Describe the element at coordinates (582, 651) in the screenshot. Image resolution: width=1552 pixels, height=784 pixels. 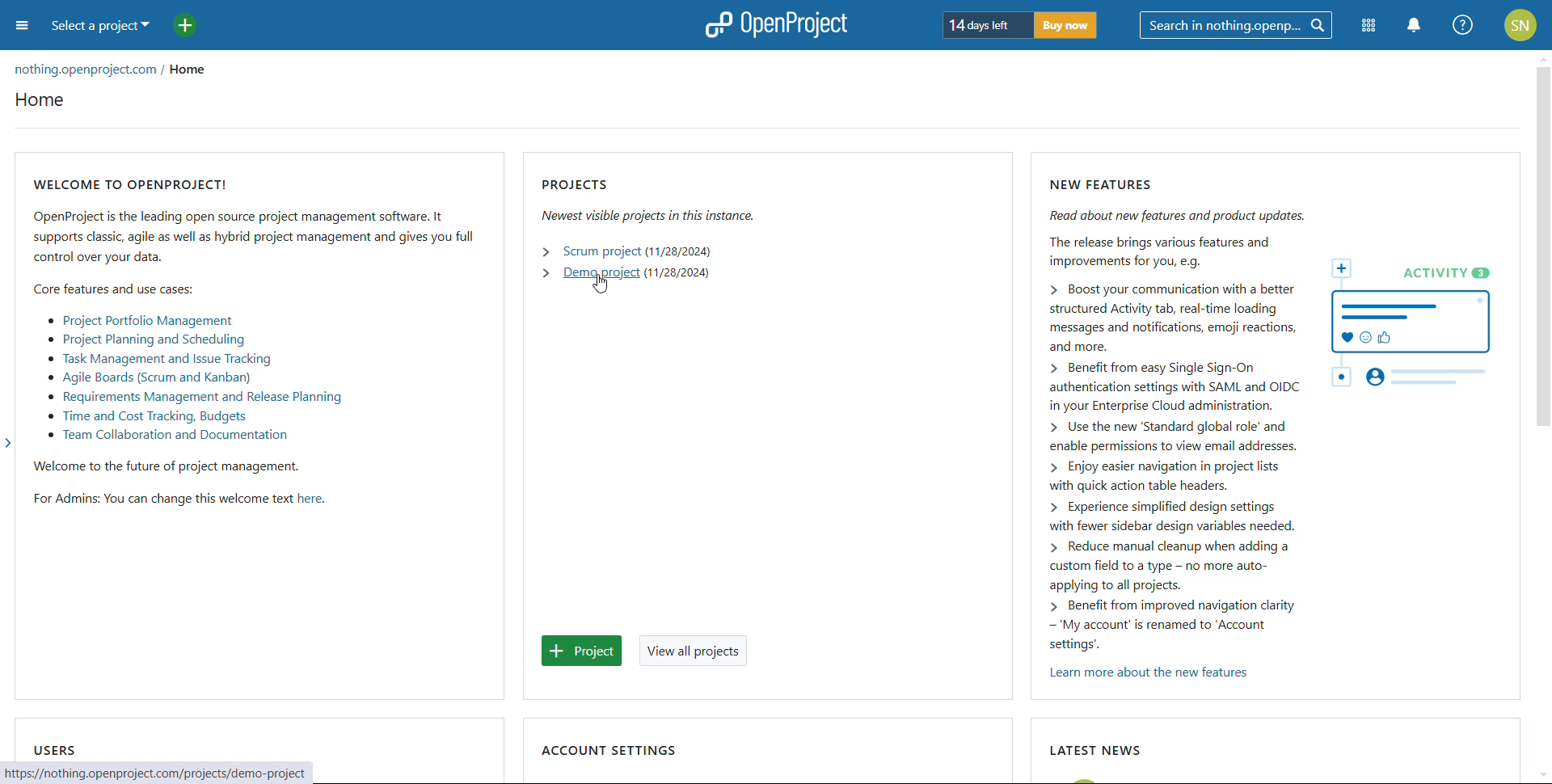
I see `project` at that location.